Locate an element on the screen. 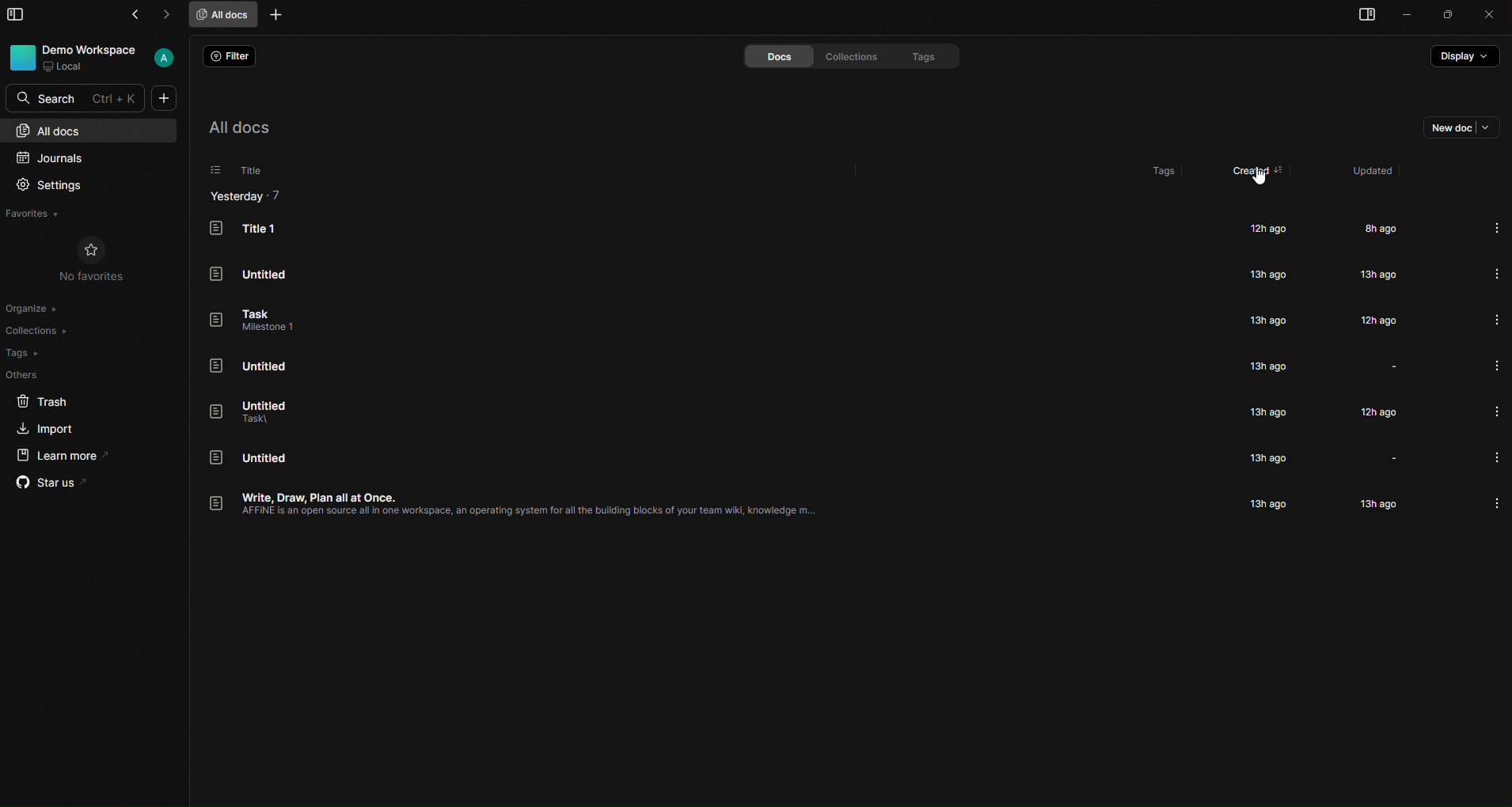 The width and height of the screenshot is (1512, 807). updated is located at coordinates (1381, 174).